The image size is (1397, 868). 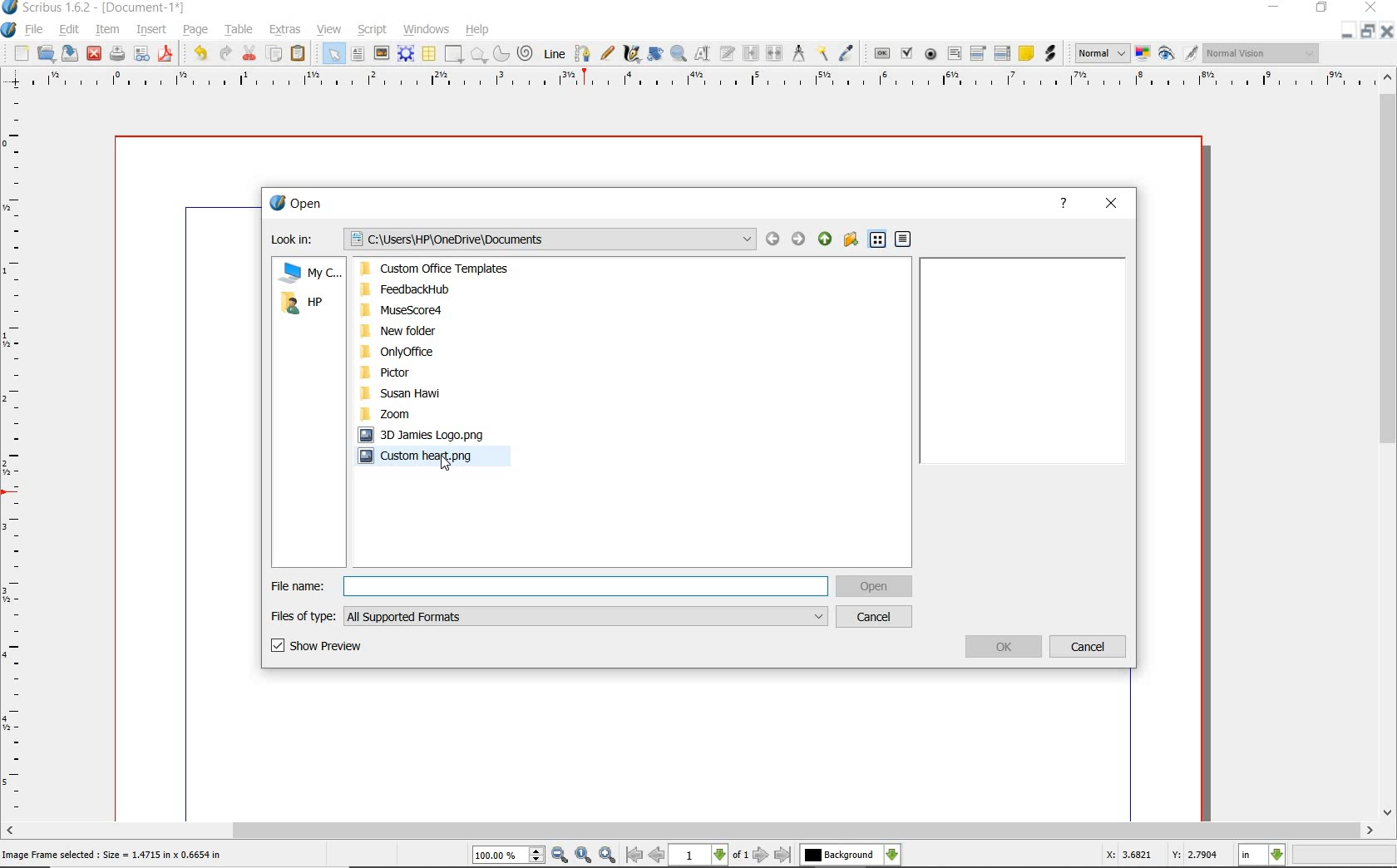 What do you see at coordinates (931, 55) in the screenshot?
I see `pdf radio box` at bounding box center [931, 55].